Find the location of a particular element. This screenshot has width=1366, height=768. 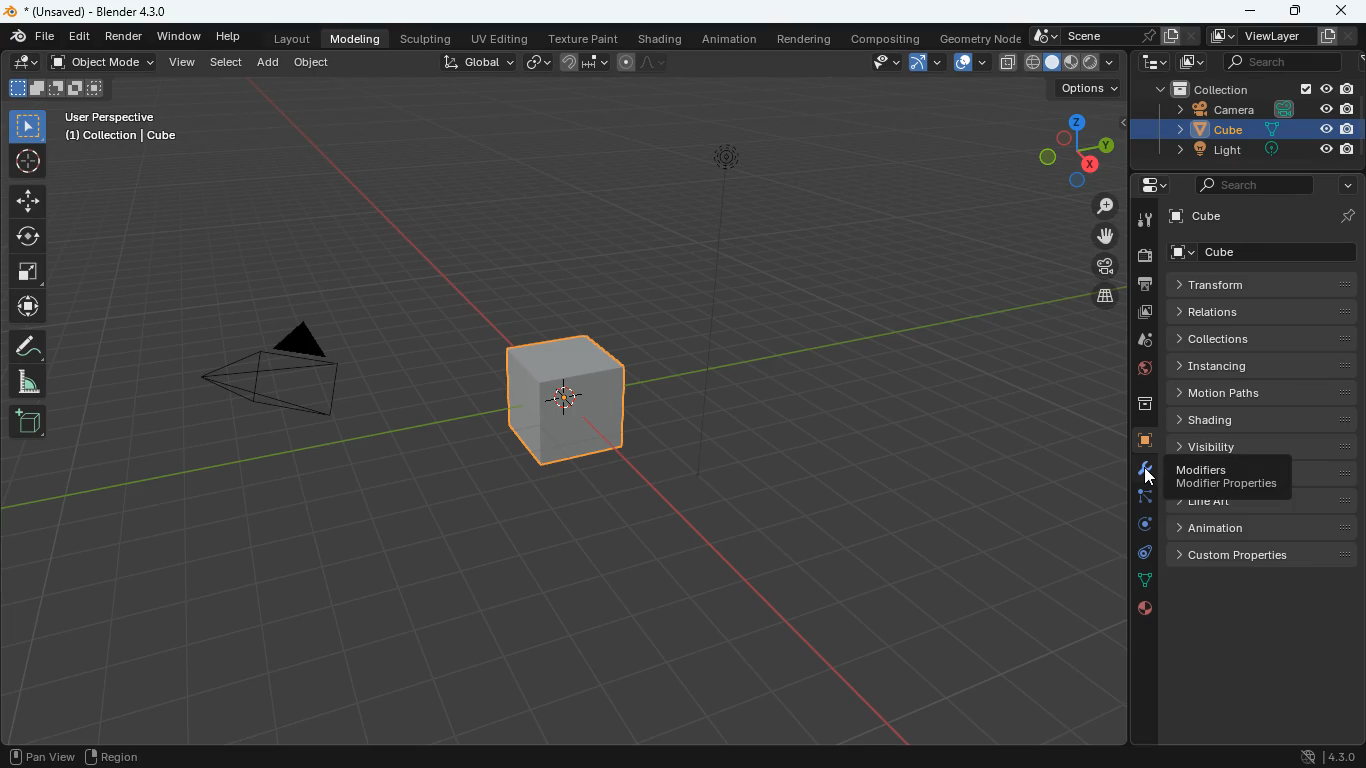

add is located at coordinates (27, 422).